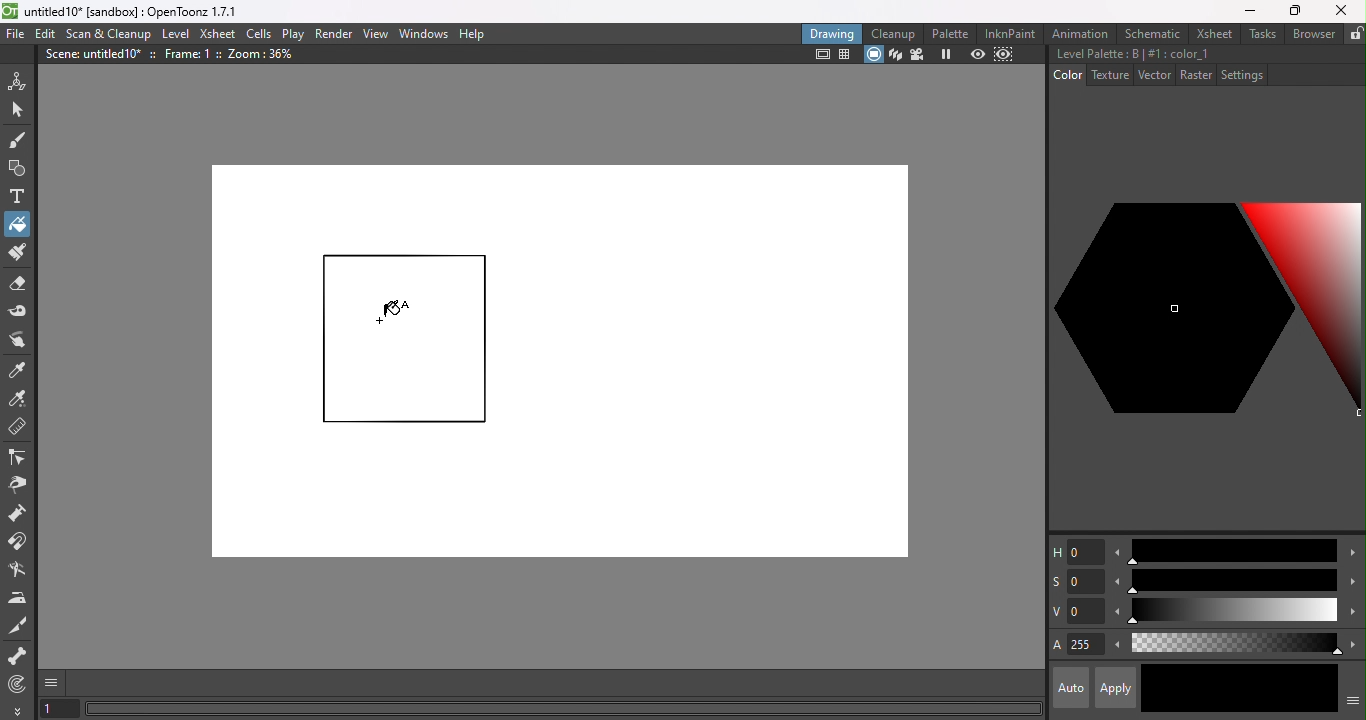  I want to click on Slide bar, so click(1231, 551).